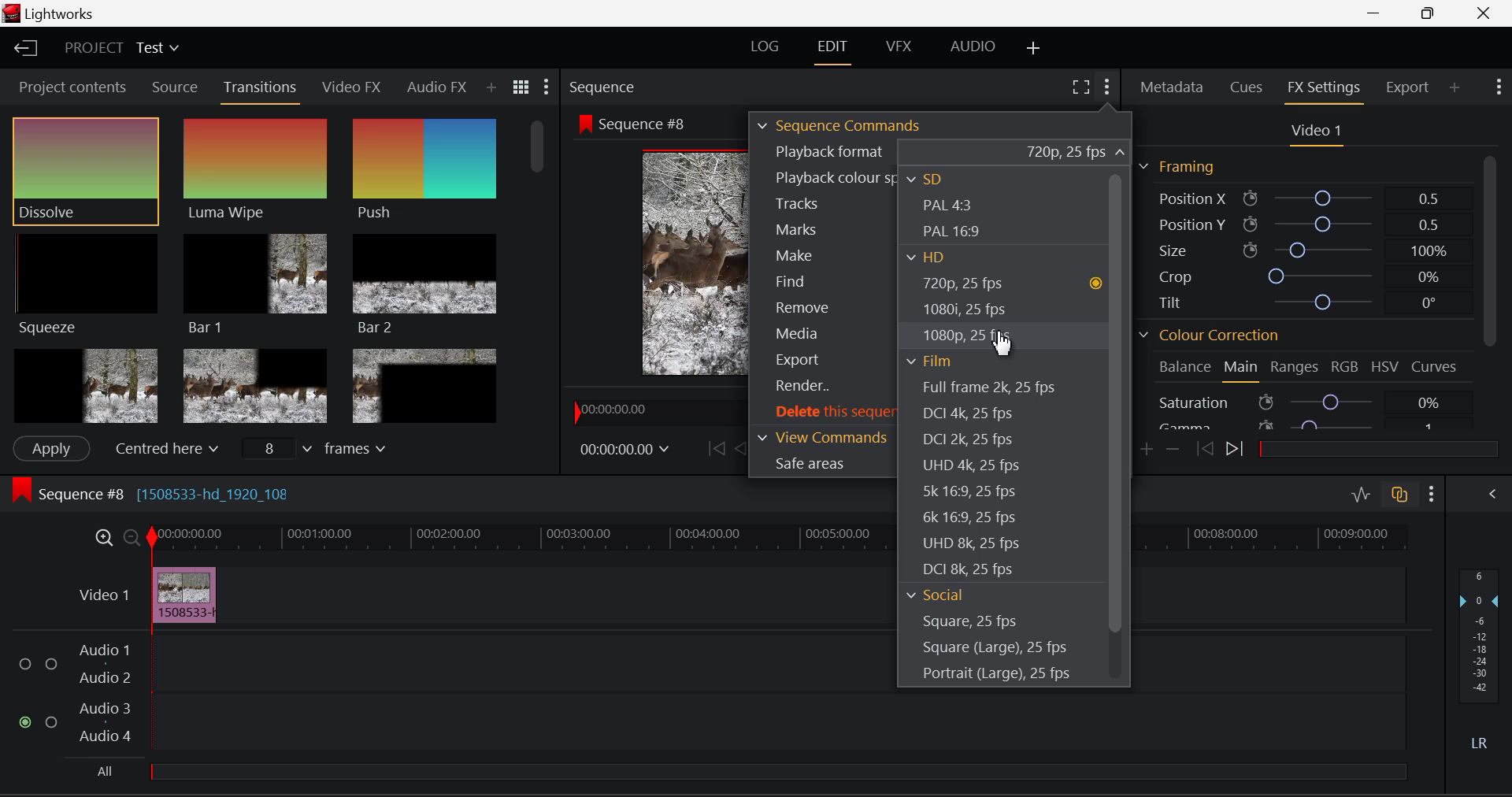  I want to click on HD Options, so click(932, 260).